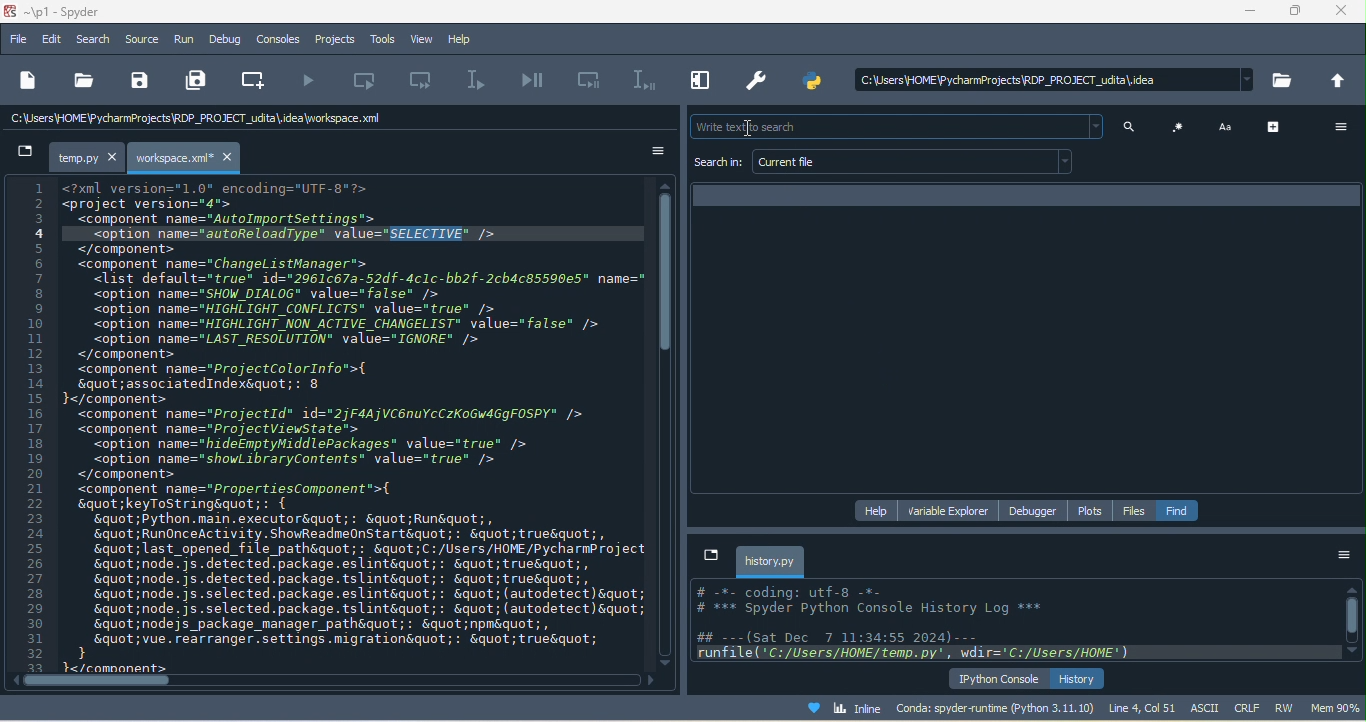 This screenshot has width=1366, height=722. What do you see at coordinates (1337, 127) in the screenshot?
I see `option` at bounding box center [1337, 127].